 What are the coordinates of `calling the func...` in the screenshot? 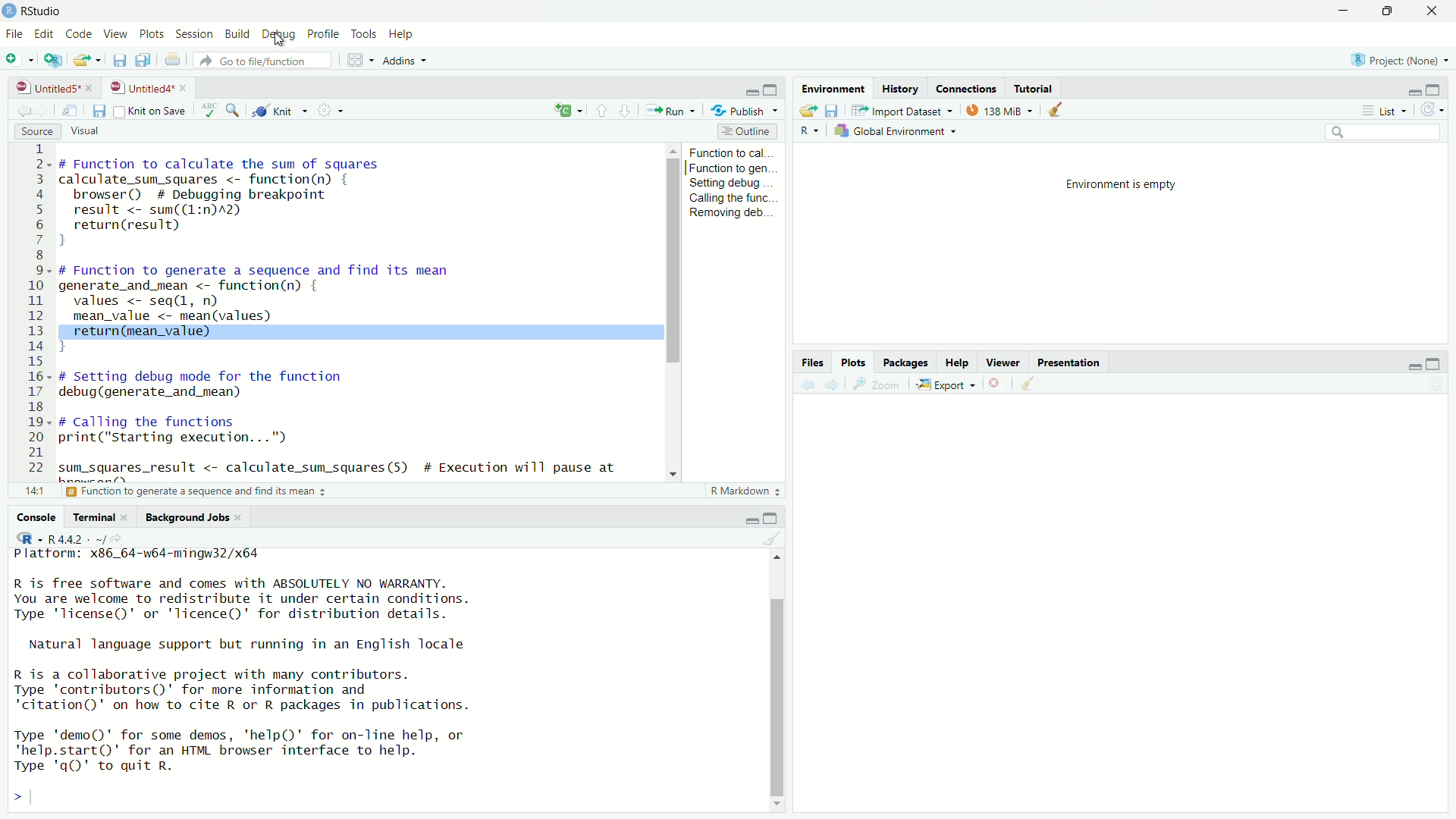 It's located at (736, 199).